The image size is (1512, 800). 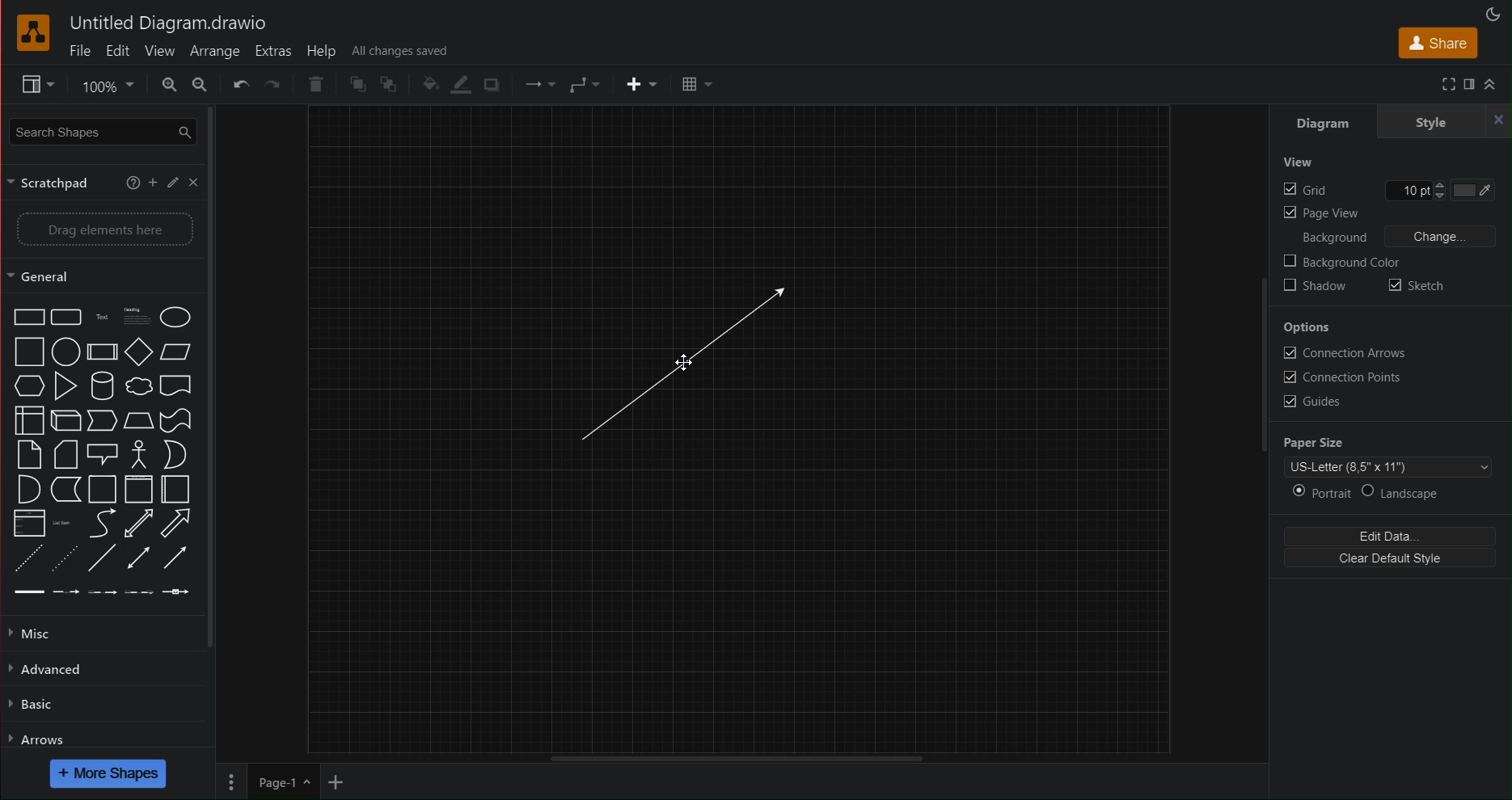 I want to click on Share, so click(x=1434, y=42).